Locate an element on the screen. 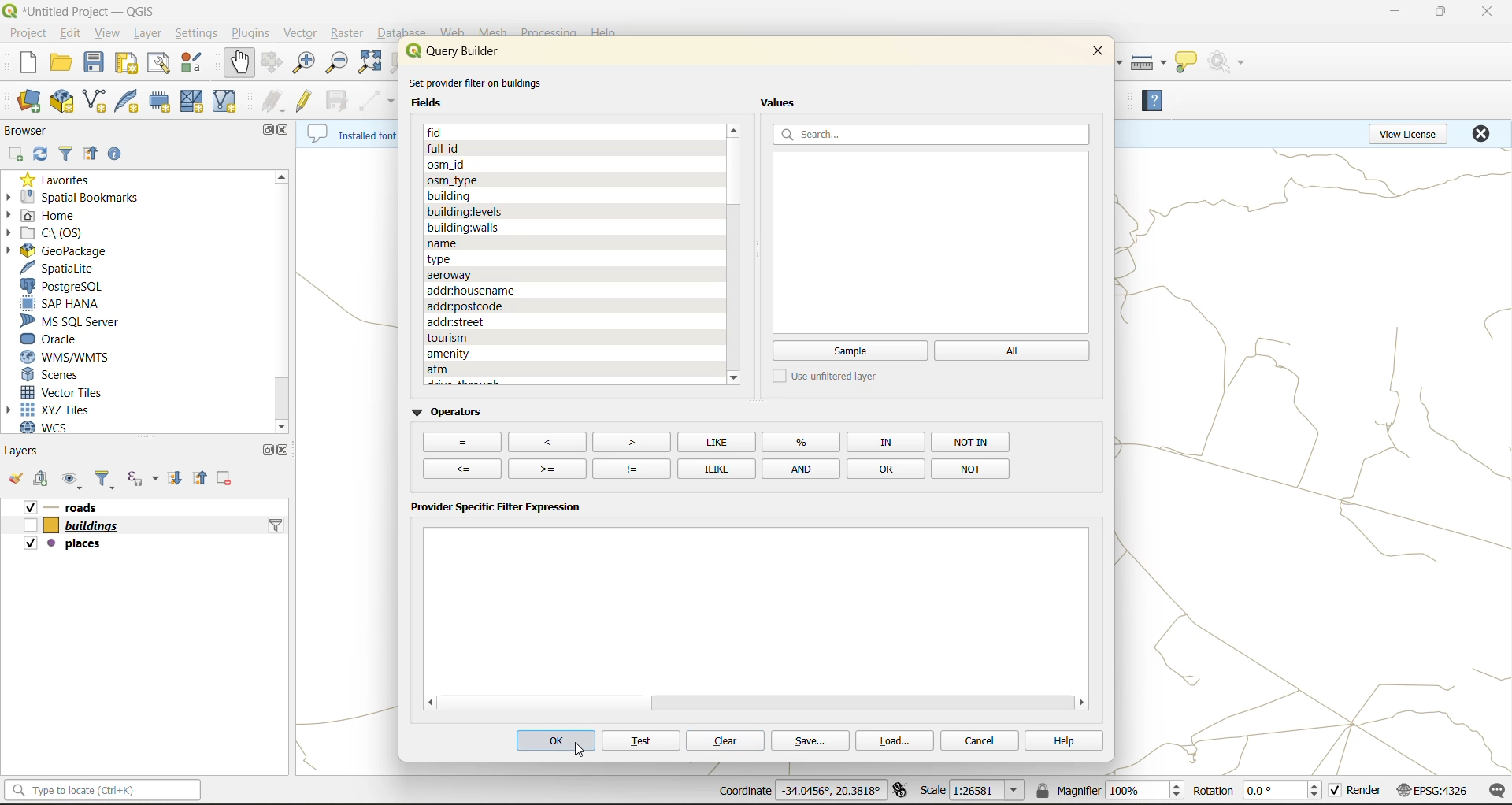  layers is located at coordinates (76, 524).